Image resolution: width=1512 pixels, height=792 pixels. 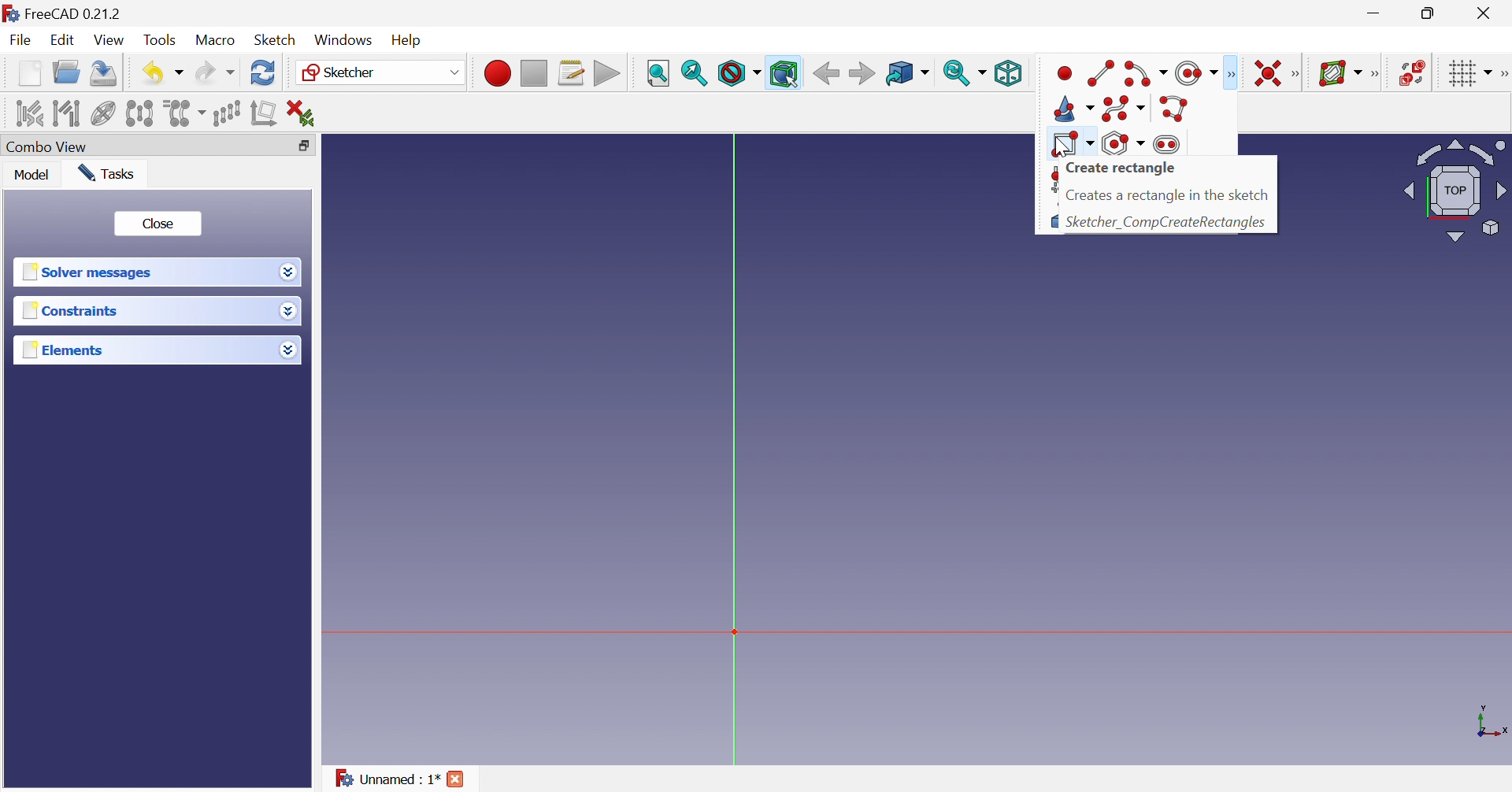 What do you see at coordinates (826, 74) in the screenshot?
I see `Back` at bounding box center [826, 74].